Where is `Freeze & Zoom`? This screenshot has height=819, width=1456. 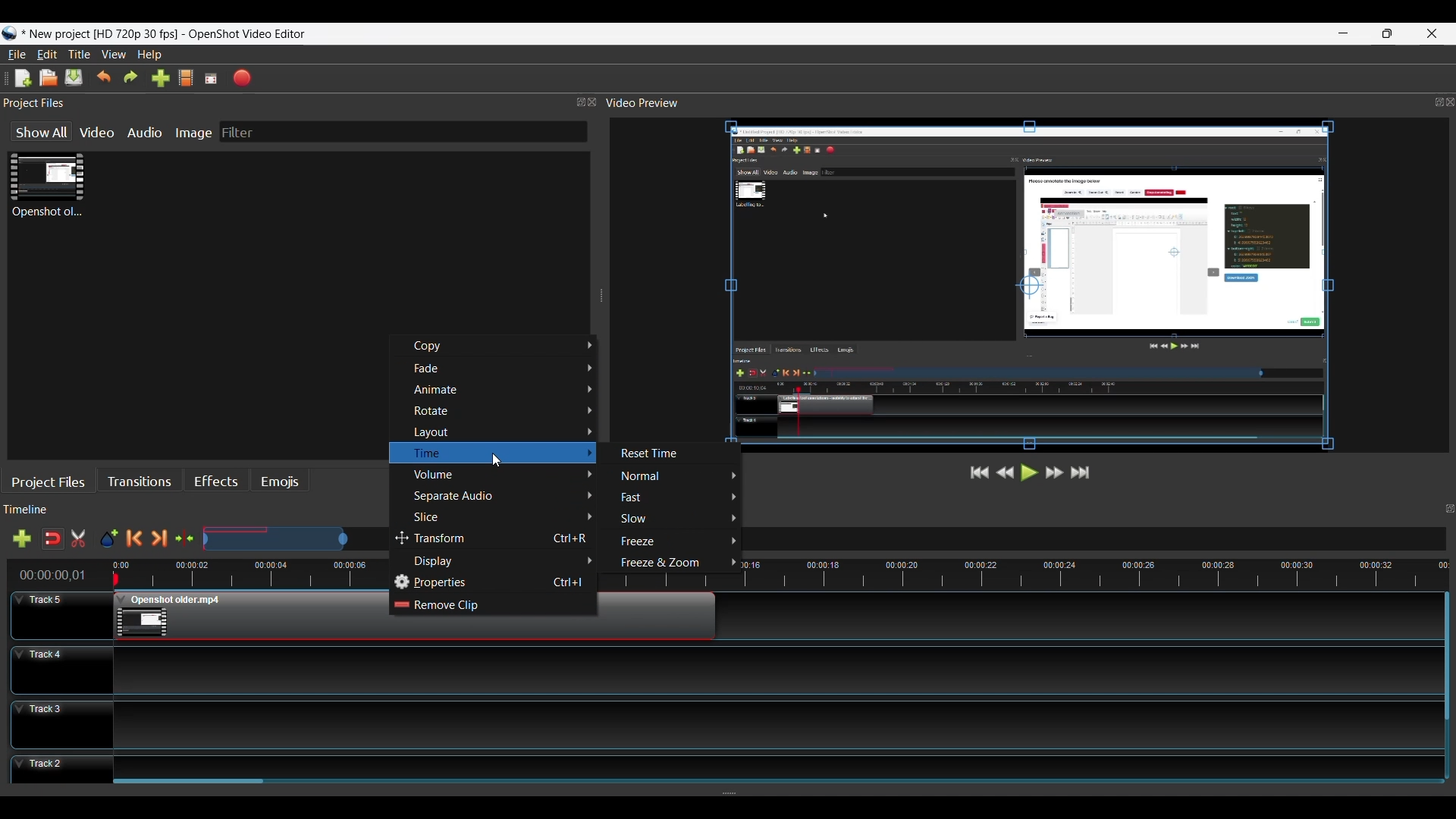
Freeze & Zoom is located at coordinates (673, 563).